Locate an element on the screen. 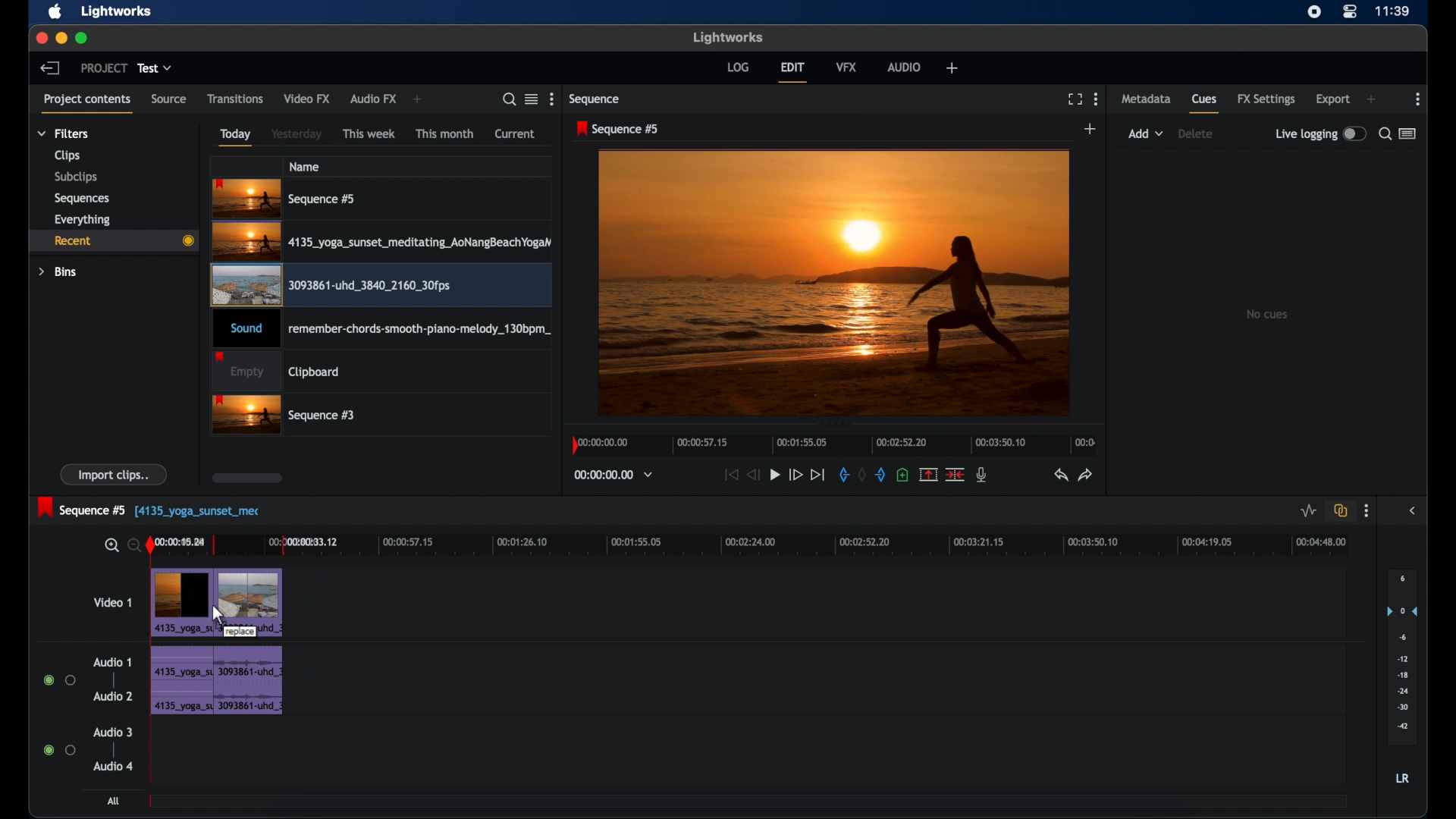 This screenshot has width=1456, height=819. video 1 is located at coordinates (115, 602).